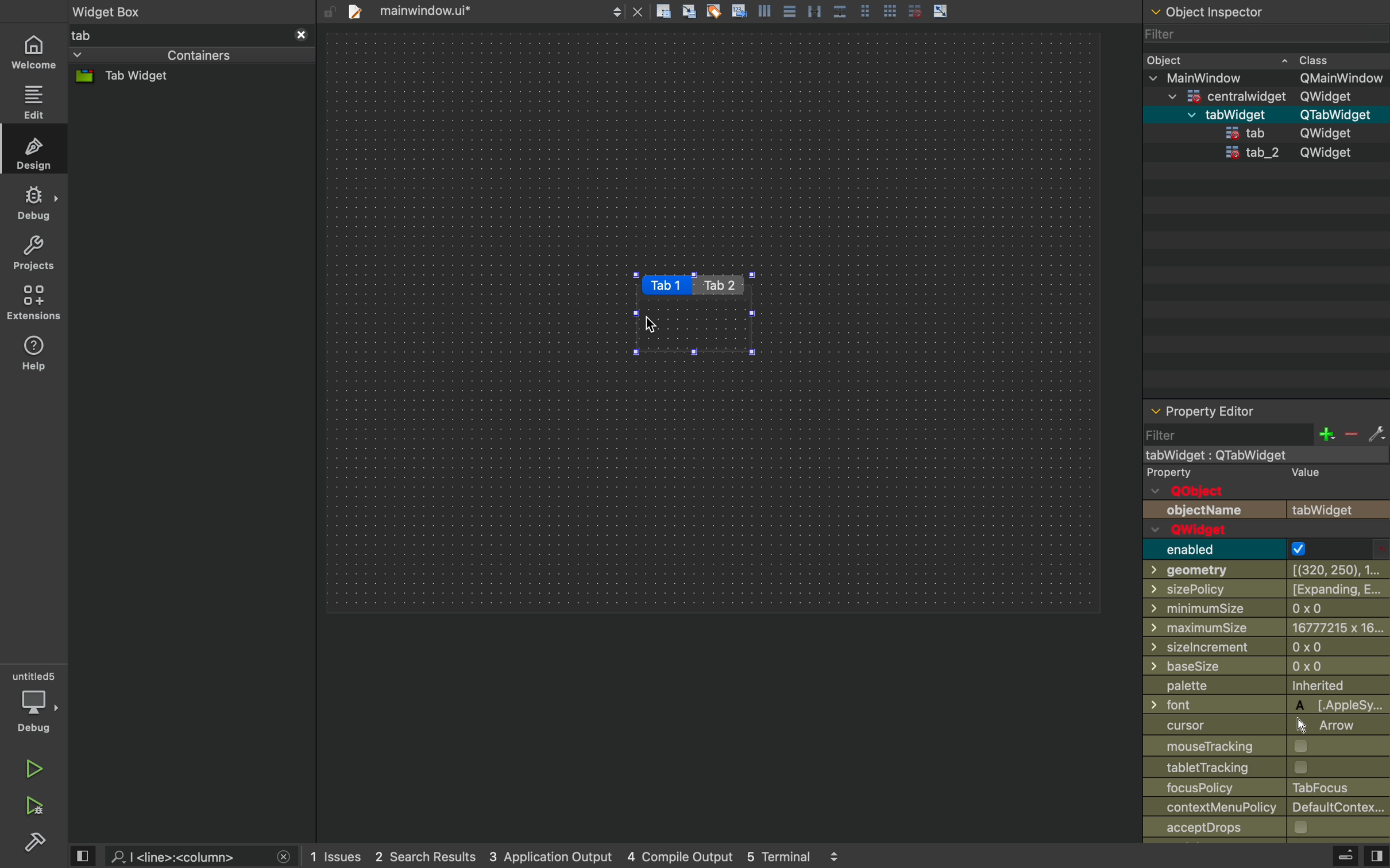 The width and height of the screenshot is (1390, 868). I want to click on plus, so click(1325, 434).